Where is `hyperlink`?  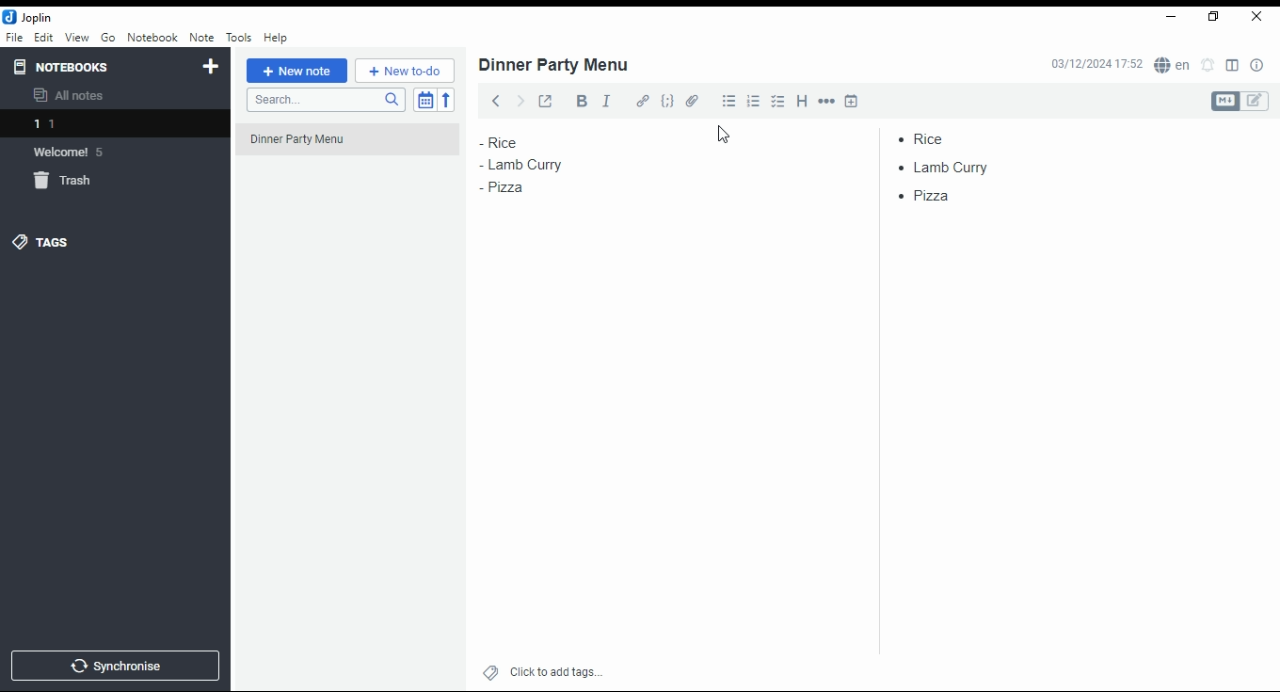
hyperlink is located at coordinates (639, 102).